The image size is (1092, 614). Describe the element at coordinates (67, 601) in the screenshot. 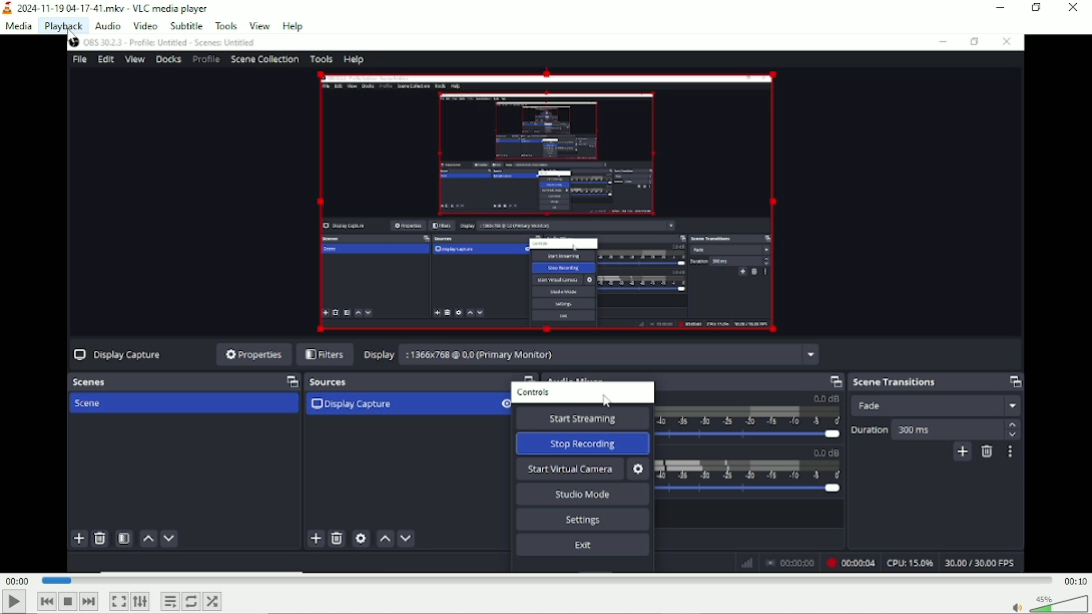

I see `Stop playlist` at that location.